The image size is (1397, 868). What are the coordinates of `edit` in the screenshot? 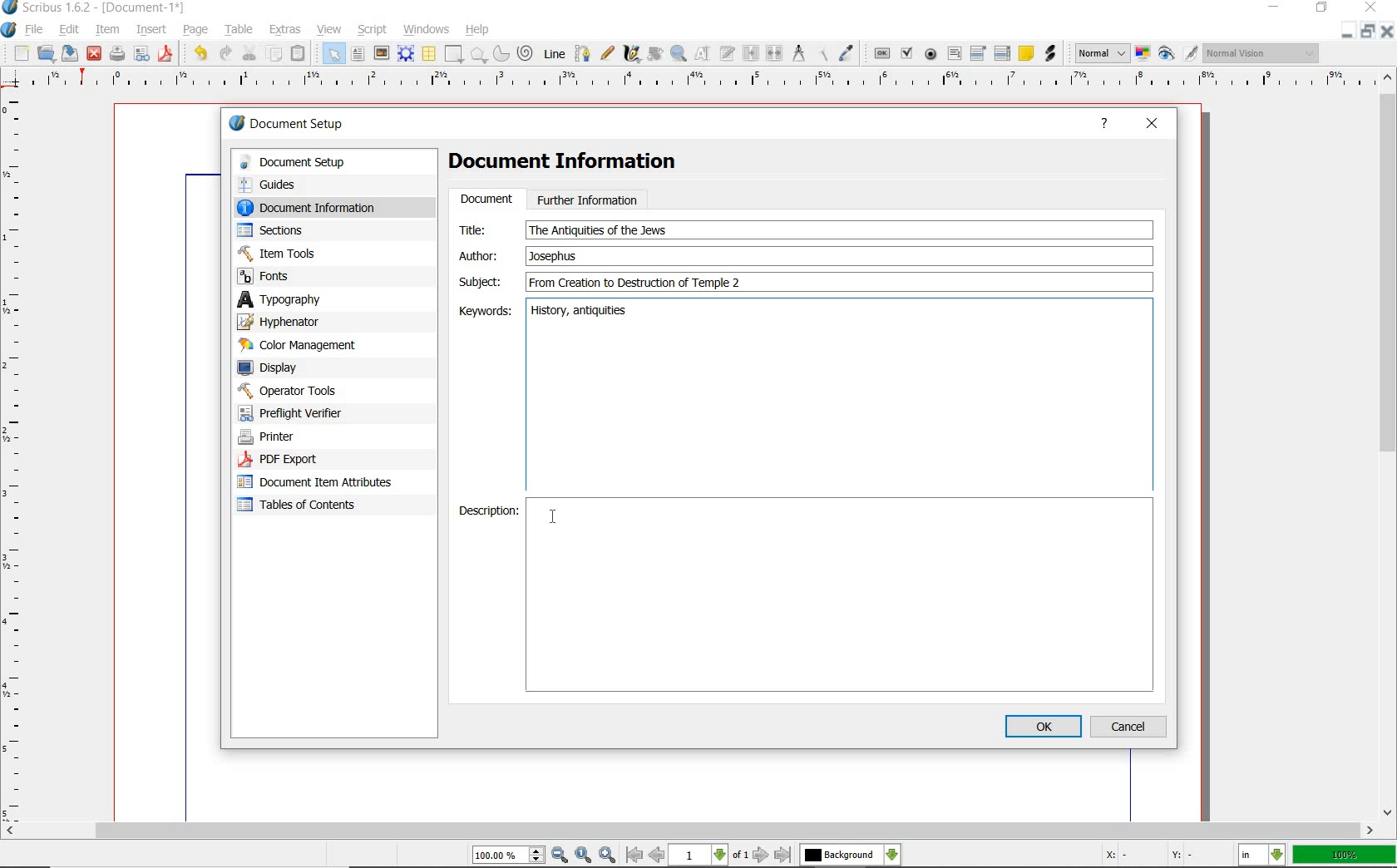 It's located at (70, 29).